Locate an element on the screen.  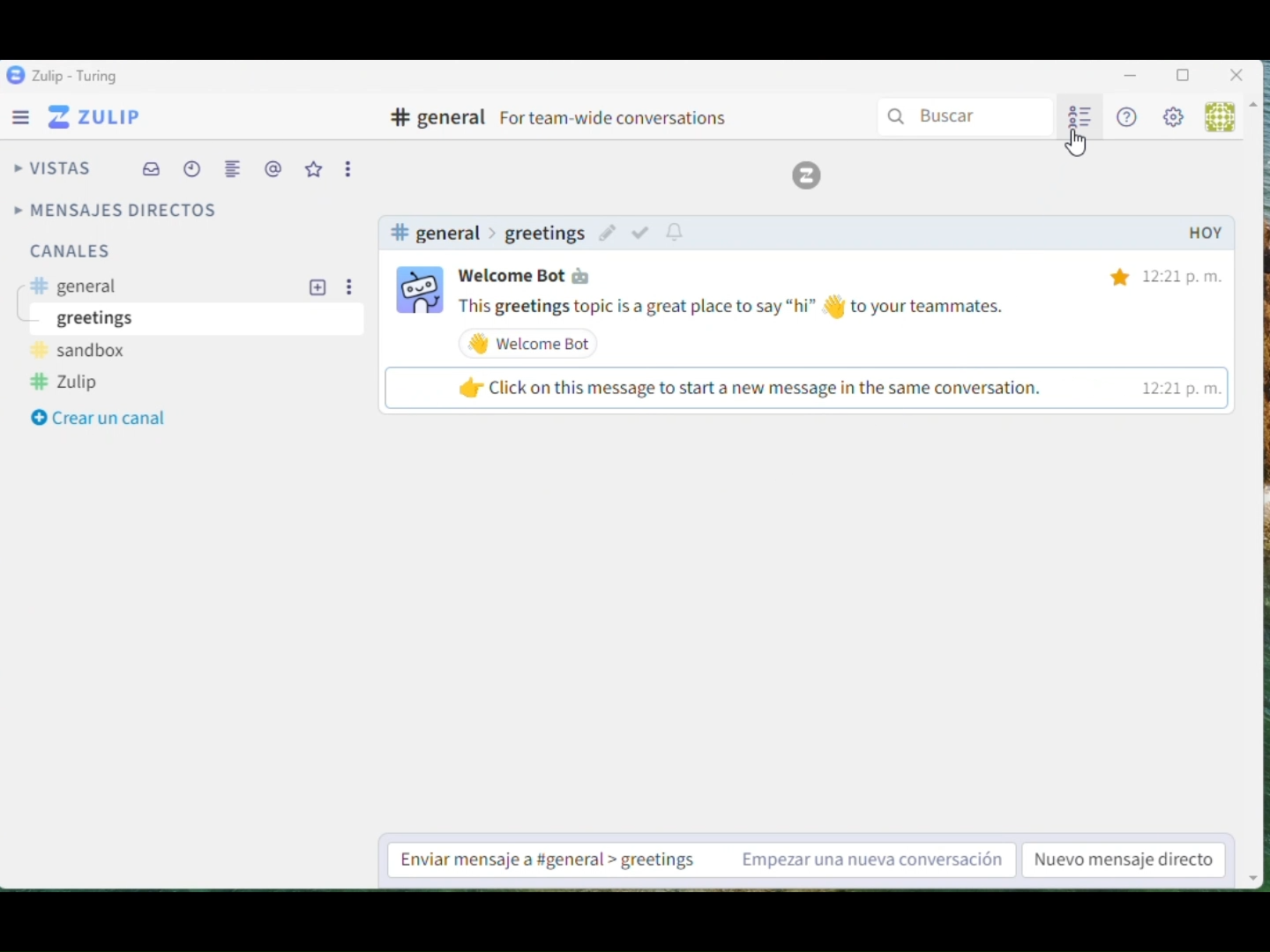
Direct Messages is located at coordinates (118, 209).